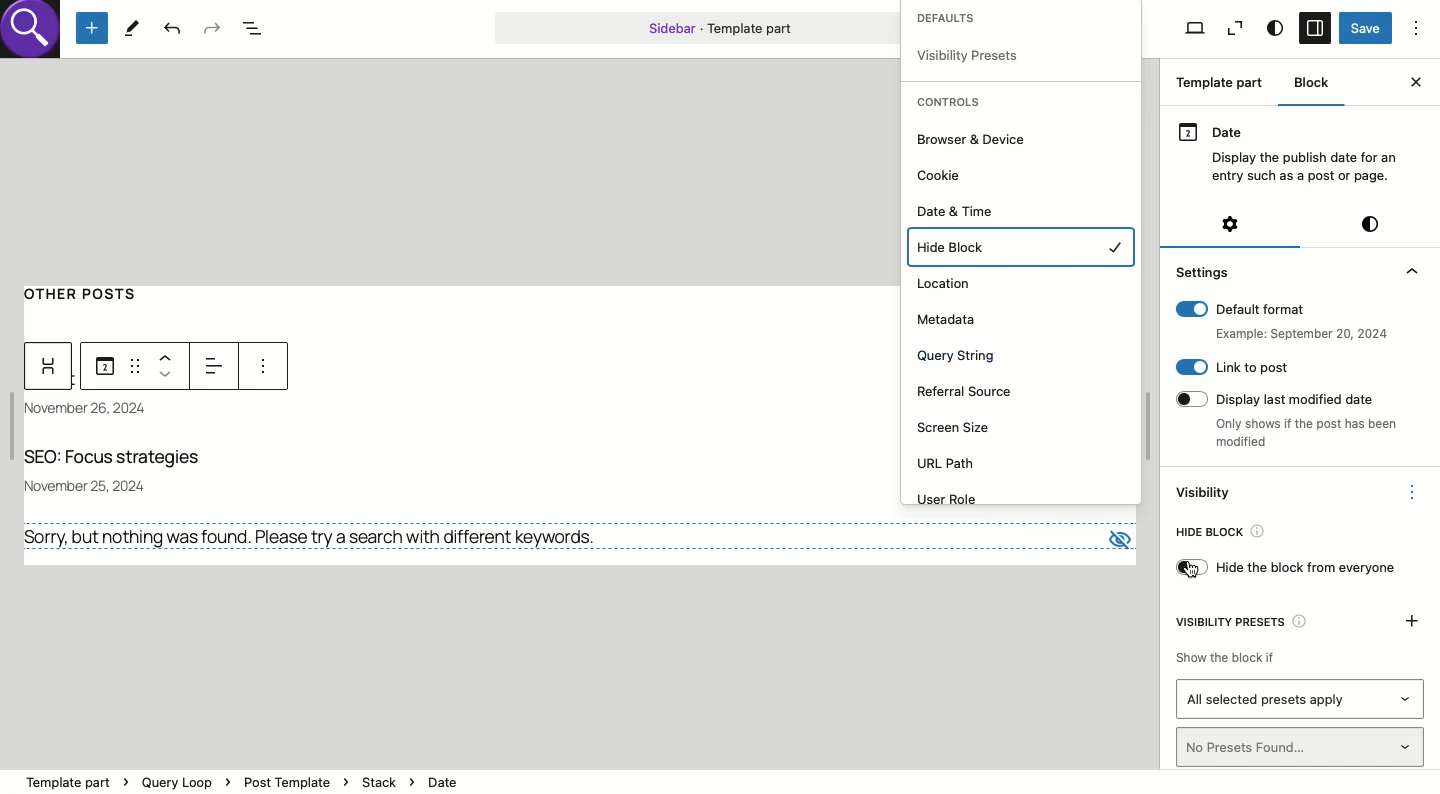  Describe the element at coordinates (1301, 700) in the screenshot. I see `All selected presets apply` at that location.